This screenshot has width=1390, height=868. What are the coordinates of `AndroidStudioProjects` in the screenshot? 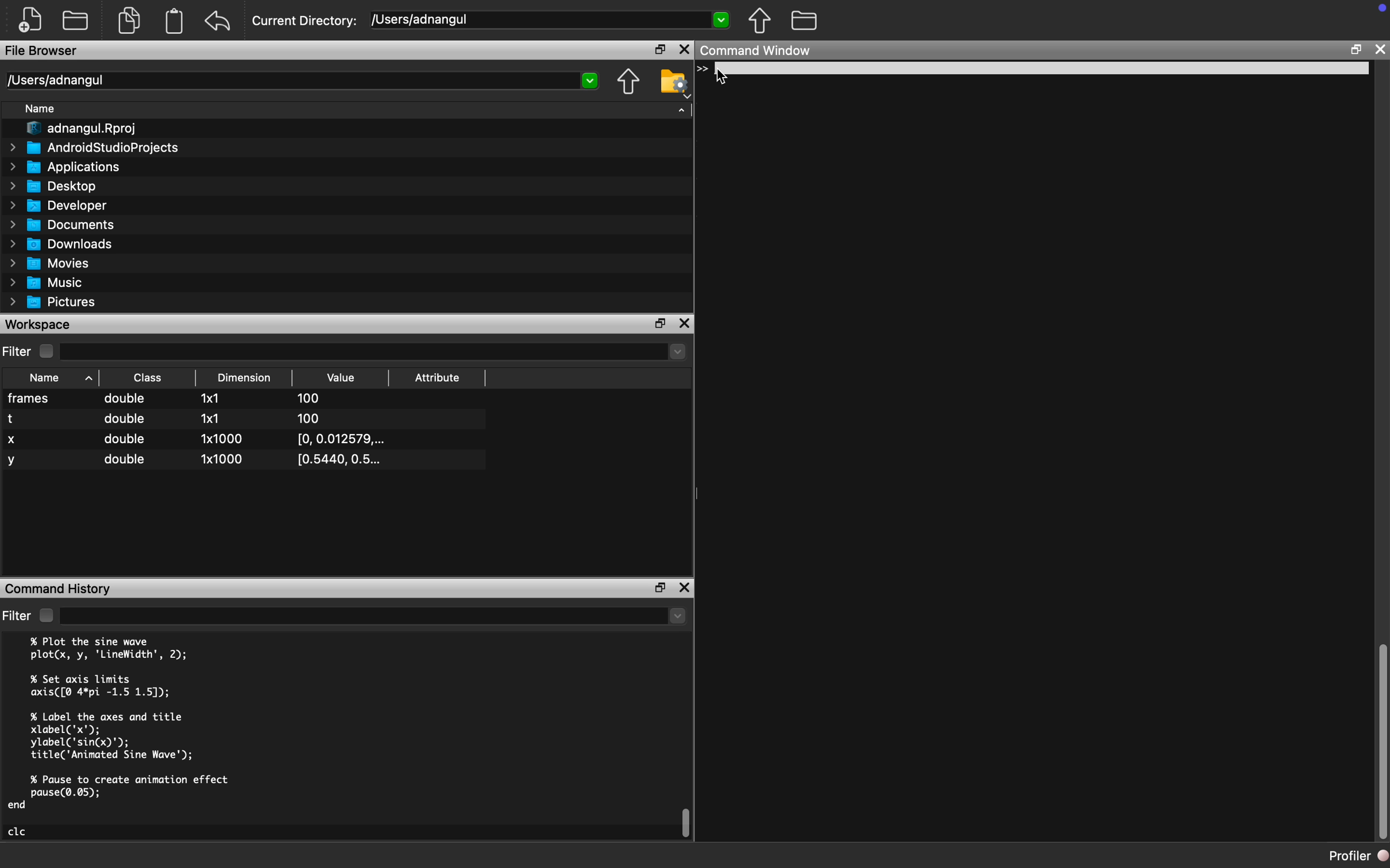 It's located at (94, 148).